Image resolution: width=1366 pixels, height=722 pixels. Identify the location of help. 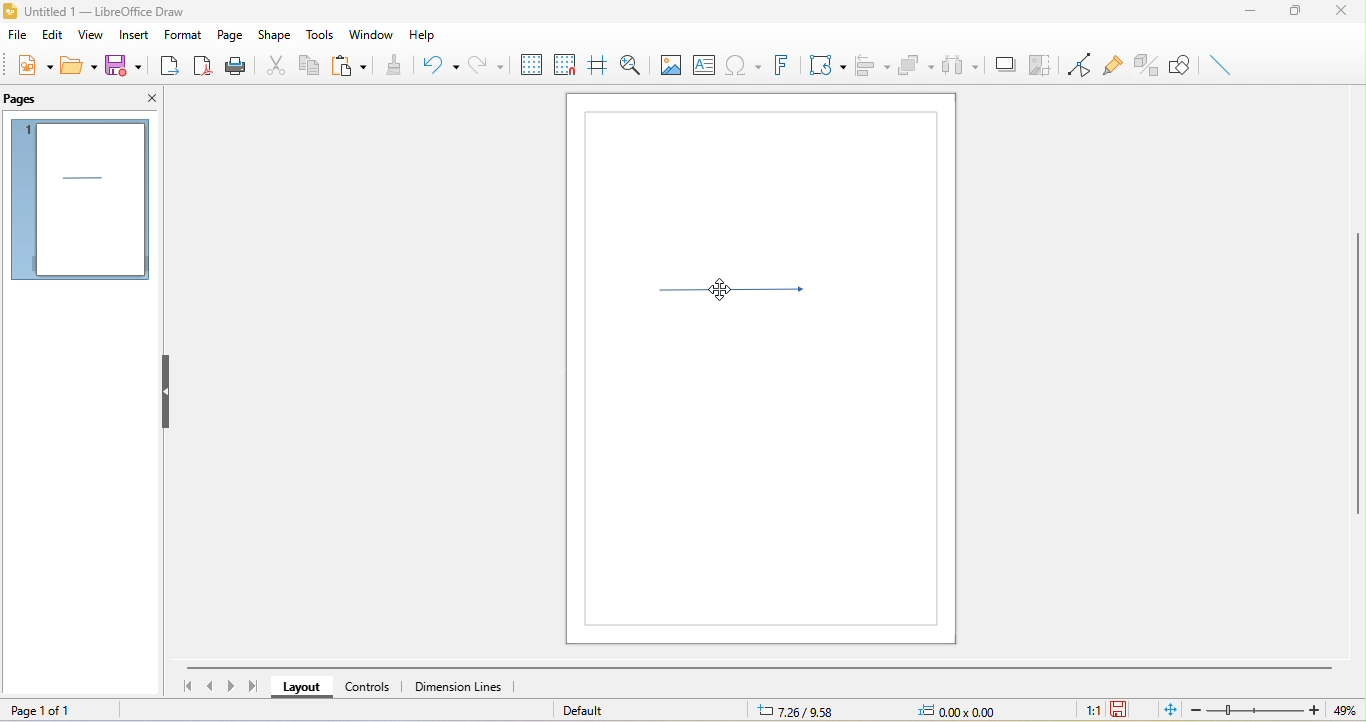
(430, 36).